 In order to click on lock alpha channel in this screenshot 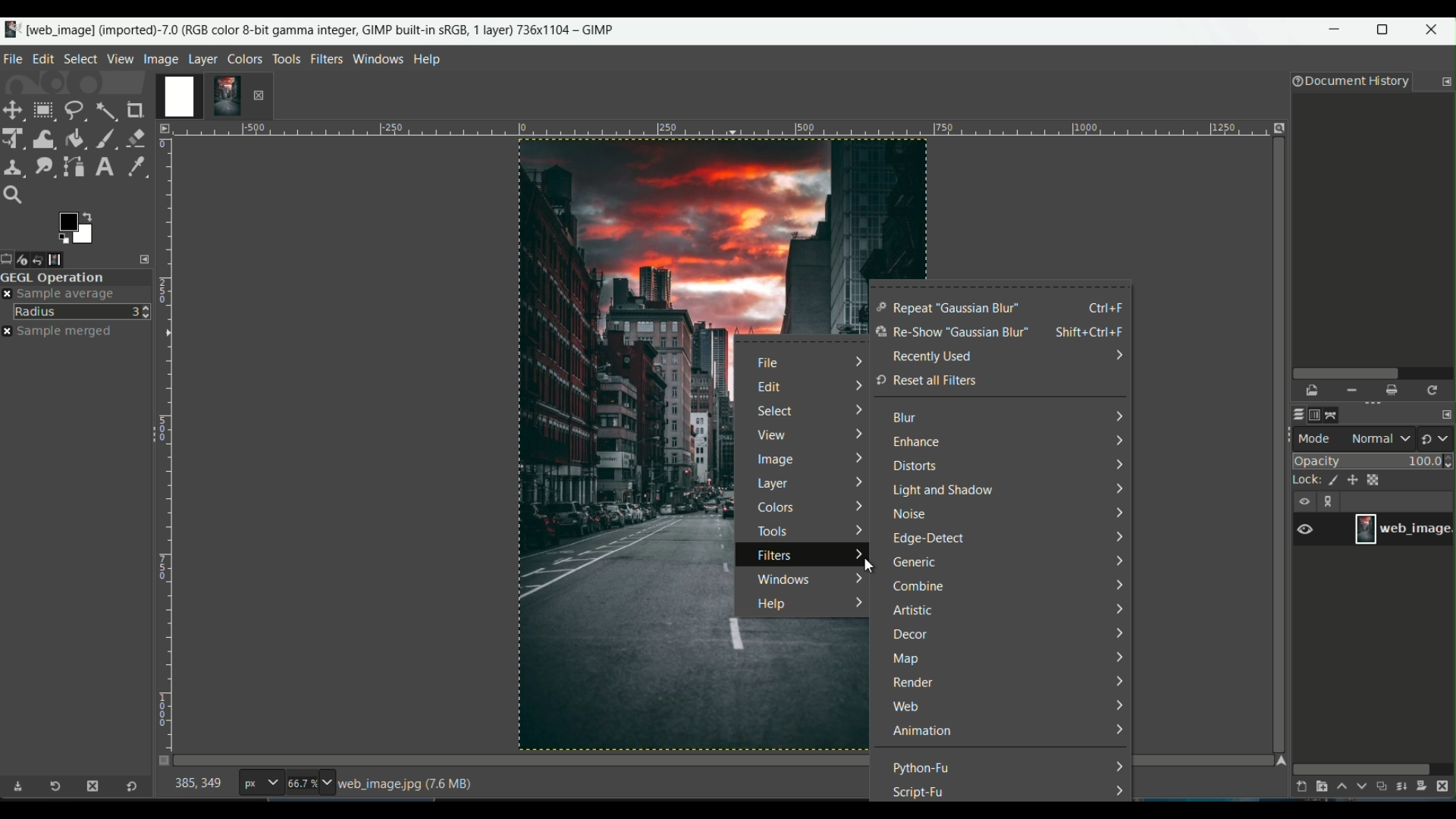, I will do `click(1376, 479)`.